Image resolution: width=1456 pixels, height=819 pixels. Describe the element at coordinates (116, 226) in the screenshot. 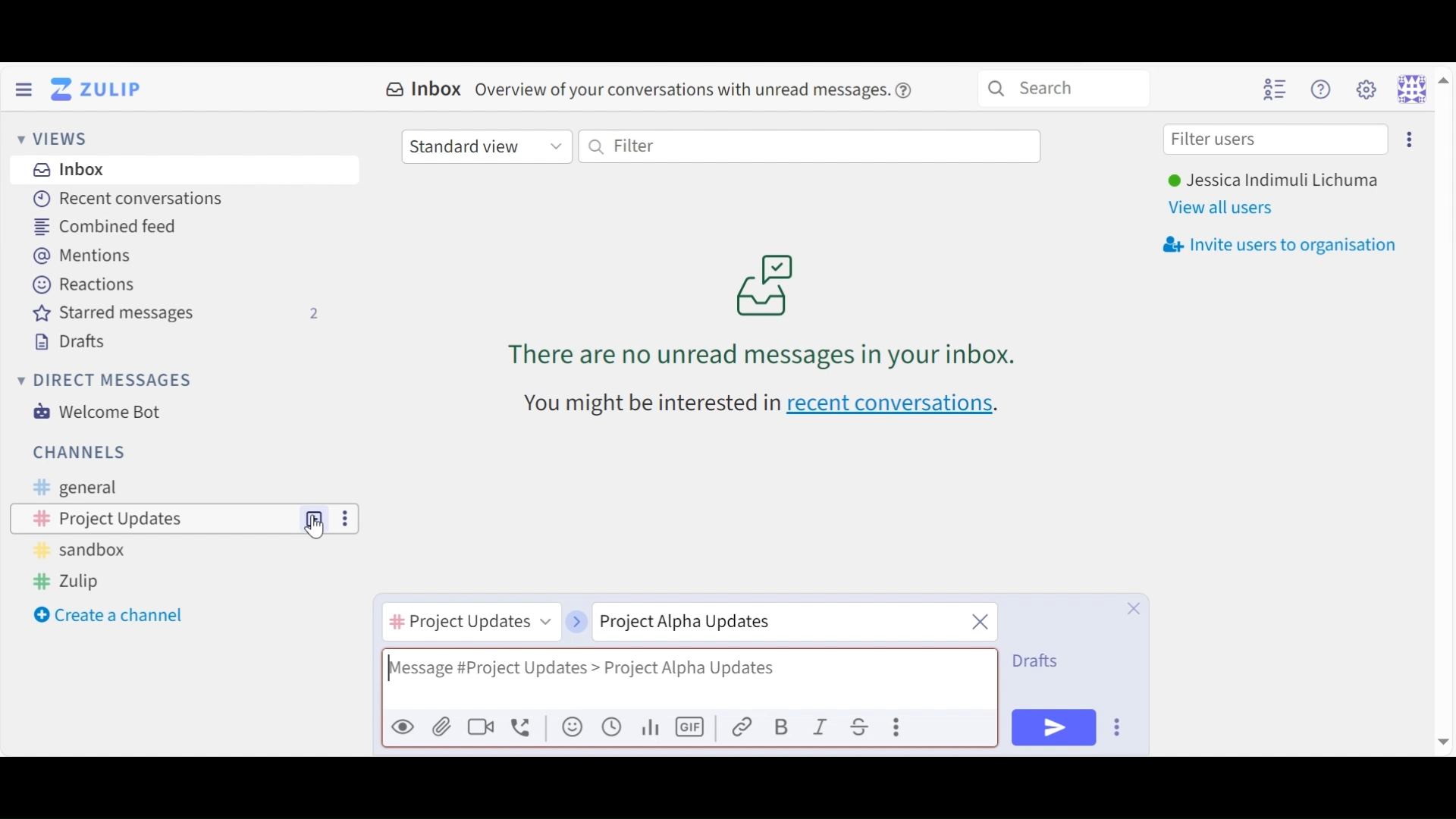

I see `Combined feed` at that location.